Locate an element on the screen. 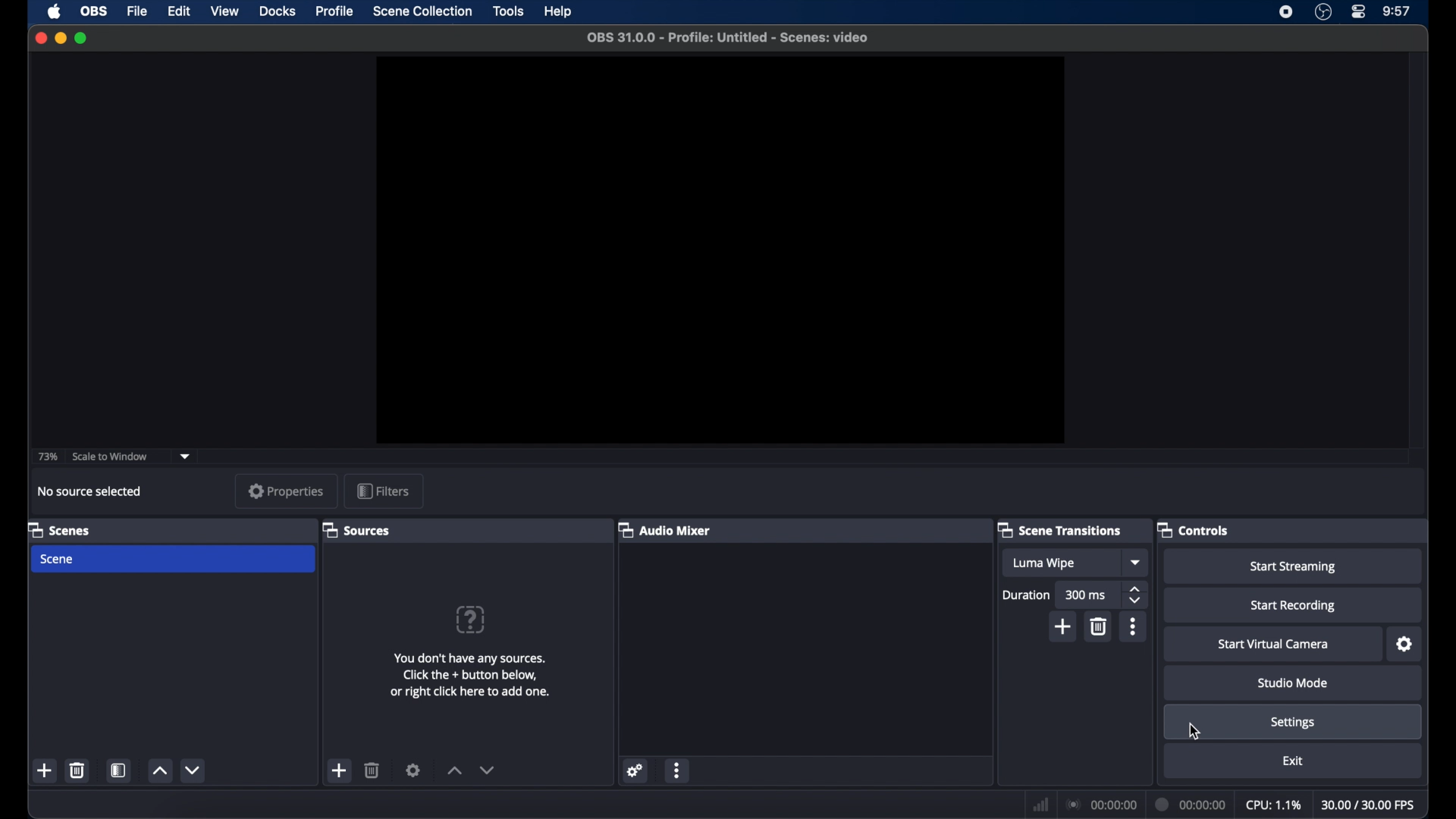 This screenshot has height=819, width=1456. scenes is located at coordinates (60, 529).